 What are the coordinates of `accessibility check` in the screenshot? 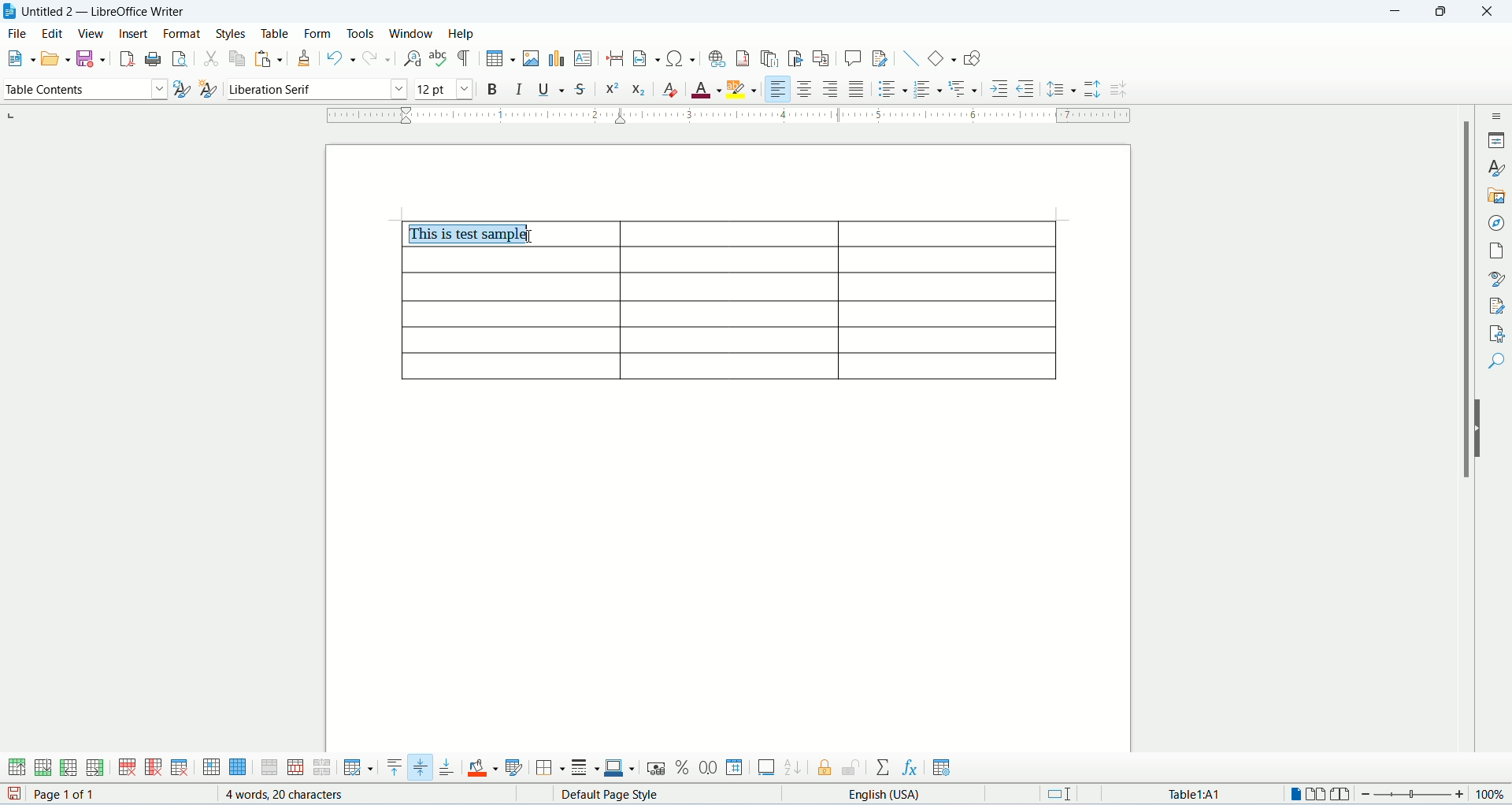 It's located at (1498, 332).